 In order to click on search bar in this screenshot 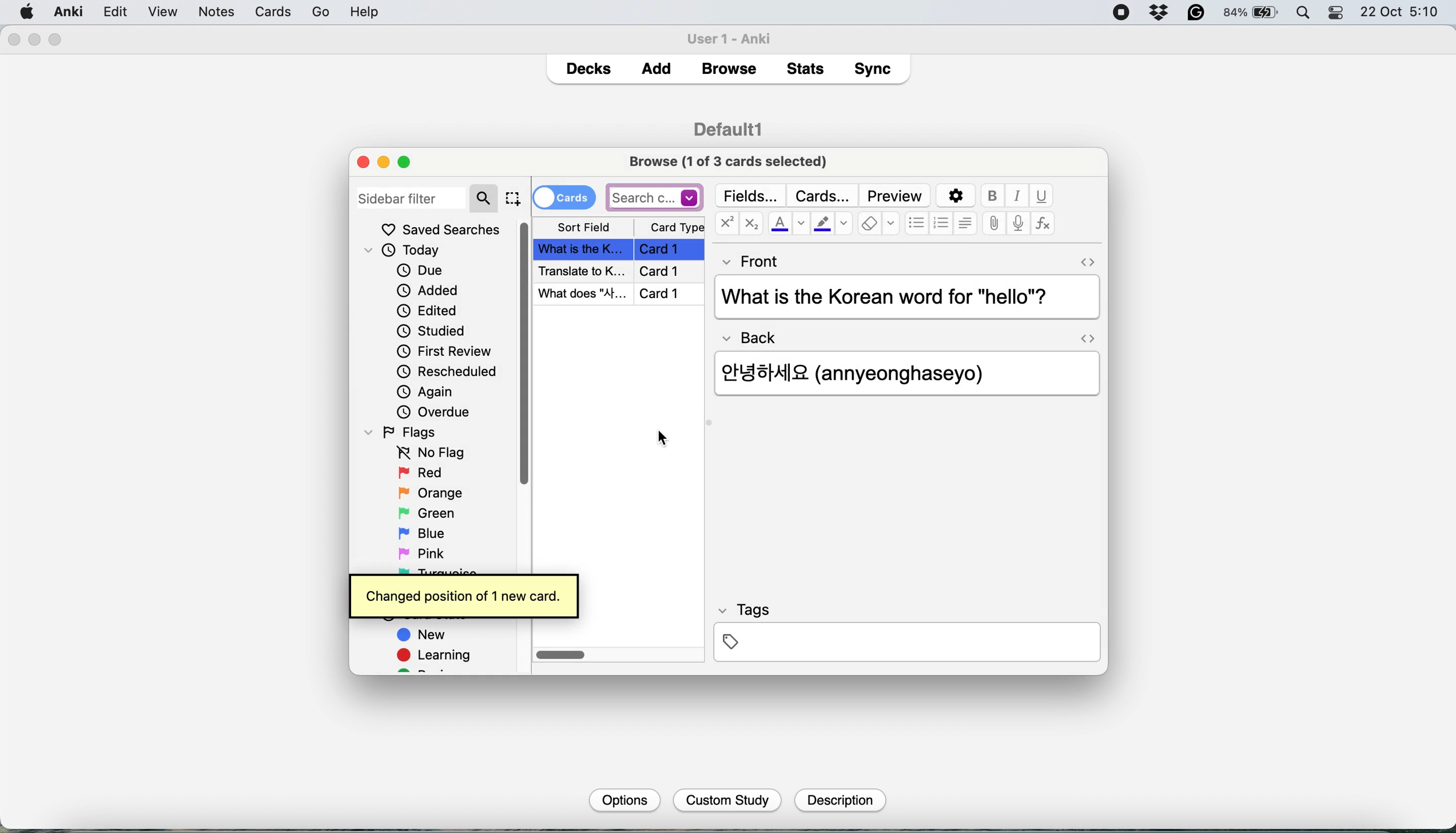, I will do `click(655, 197)`.